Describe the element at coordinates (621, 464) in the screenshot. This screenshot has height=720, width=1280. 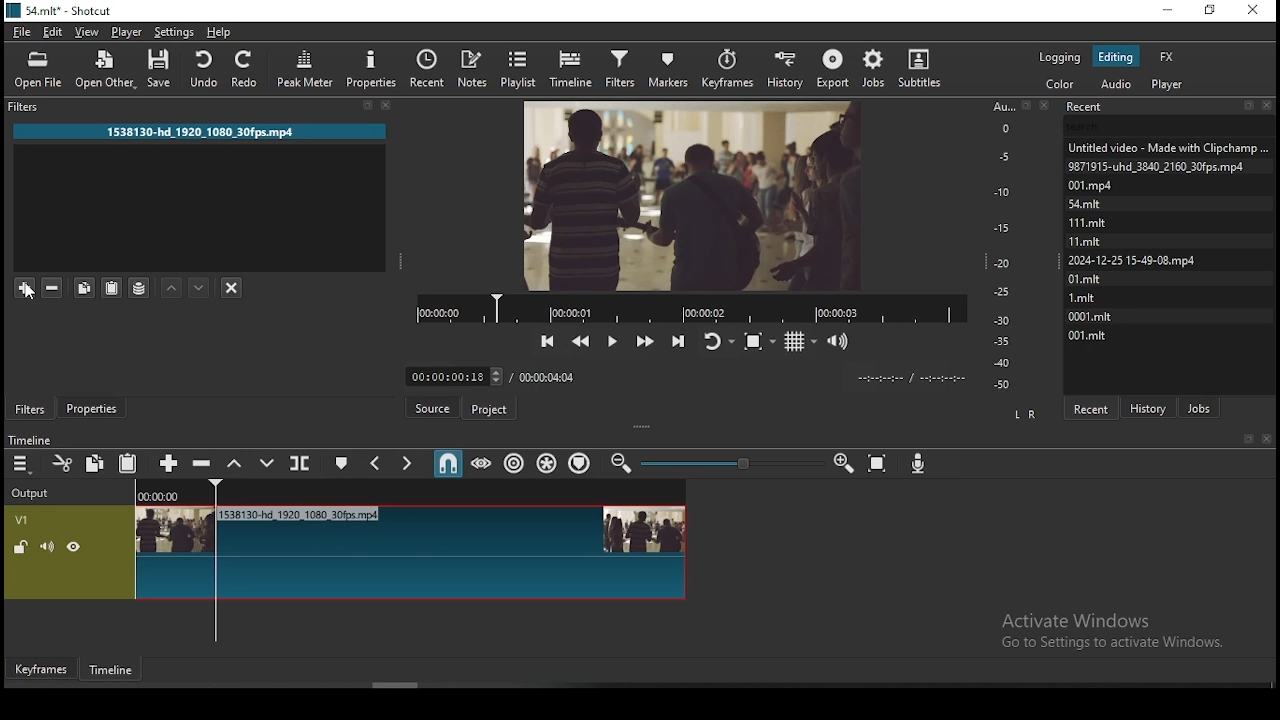
I see `zoom timeline in` at that location.